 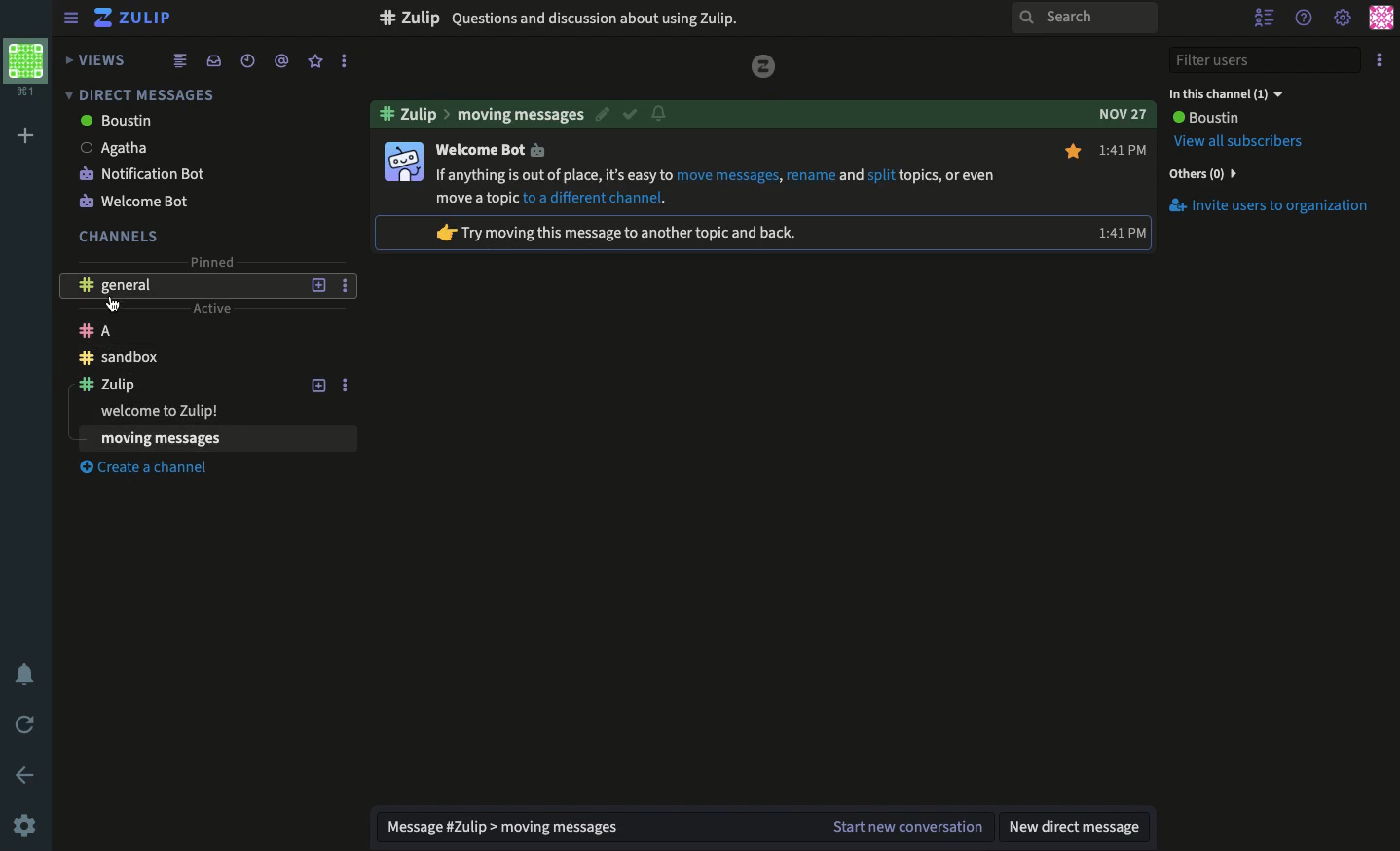 What do you see at coordinates (72, 20) in the screenshot?
I see `View sidebar` at bounding box center [72, 20].